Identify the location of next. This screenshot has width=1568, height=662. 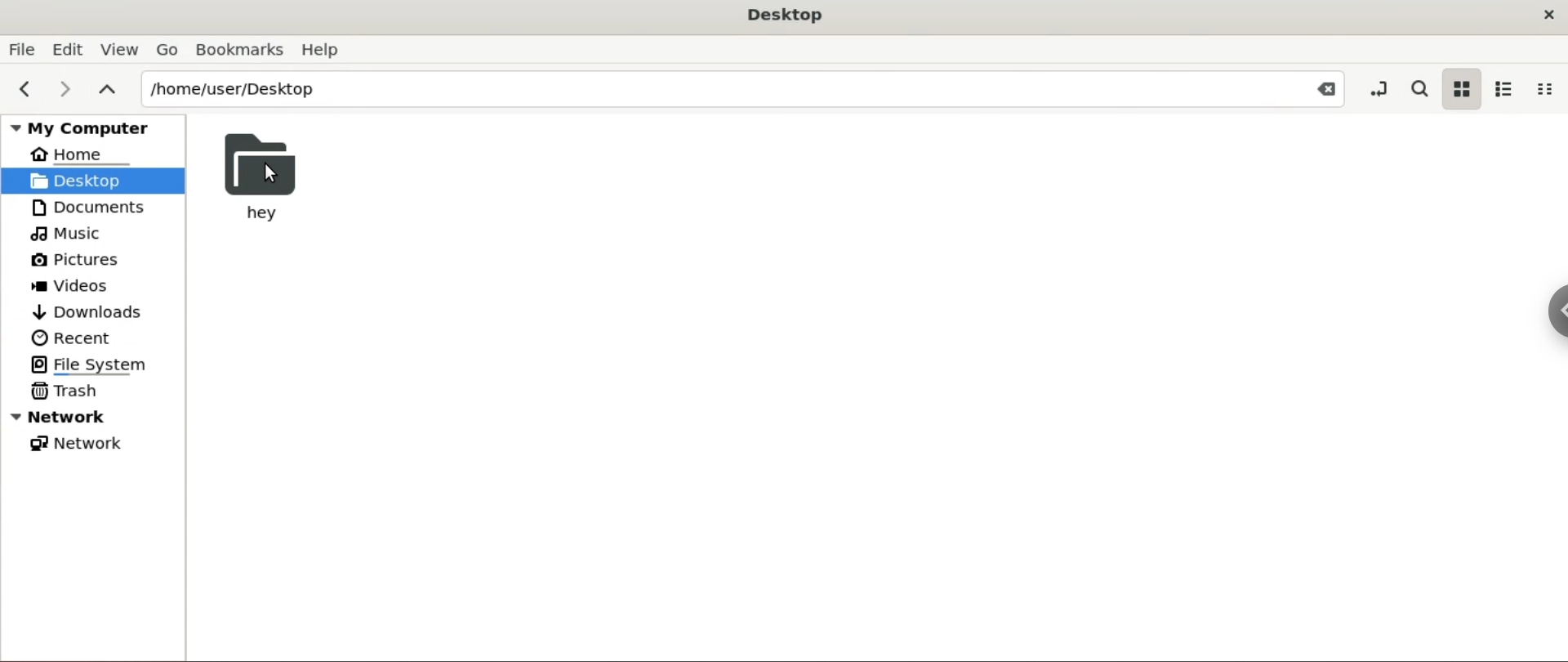
(67, 87).